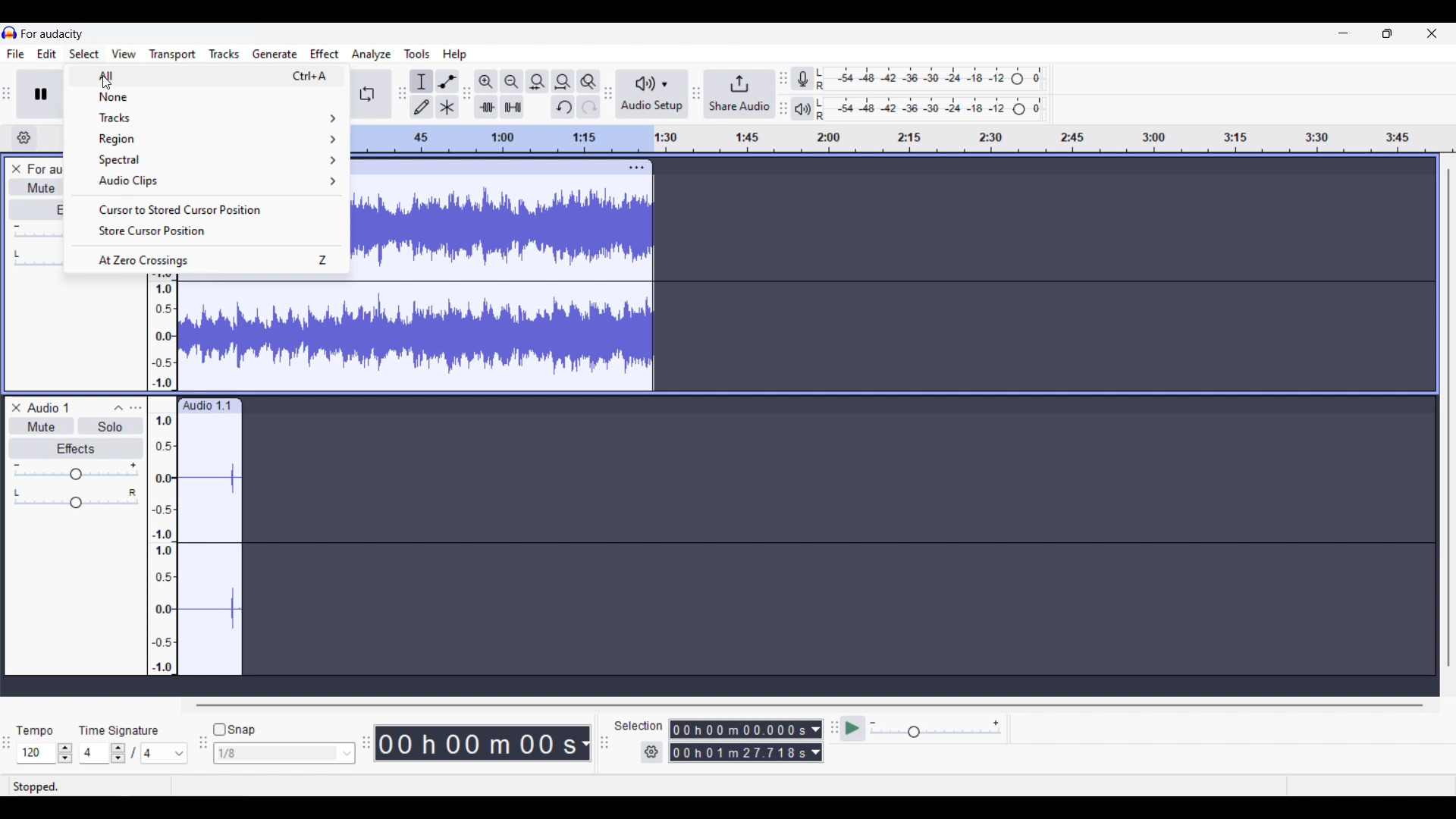 The image size is (1456, 819). What do you see at coordinates (454, 55) in the screenshot?
I see `Help` at bounding box center [454, 55].